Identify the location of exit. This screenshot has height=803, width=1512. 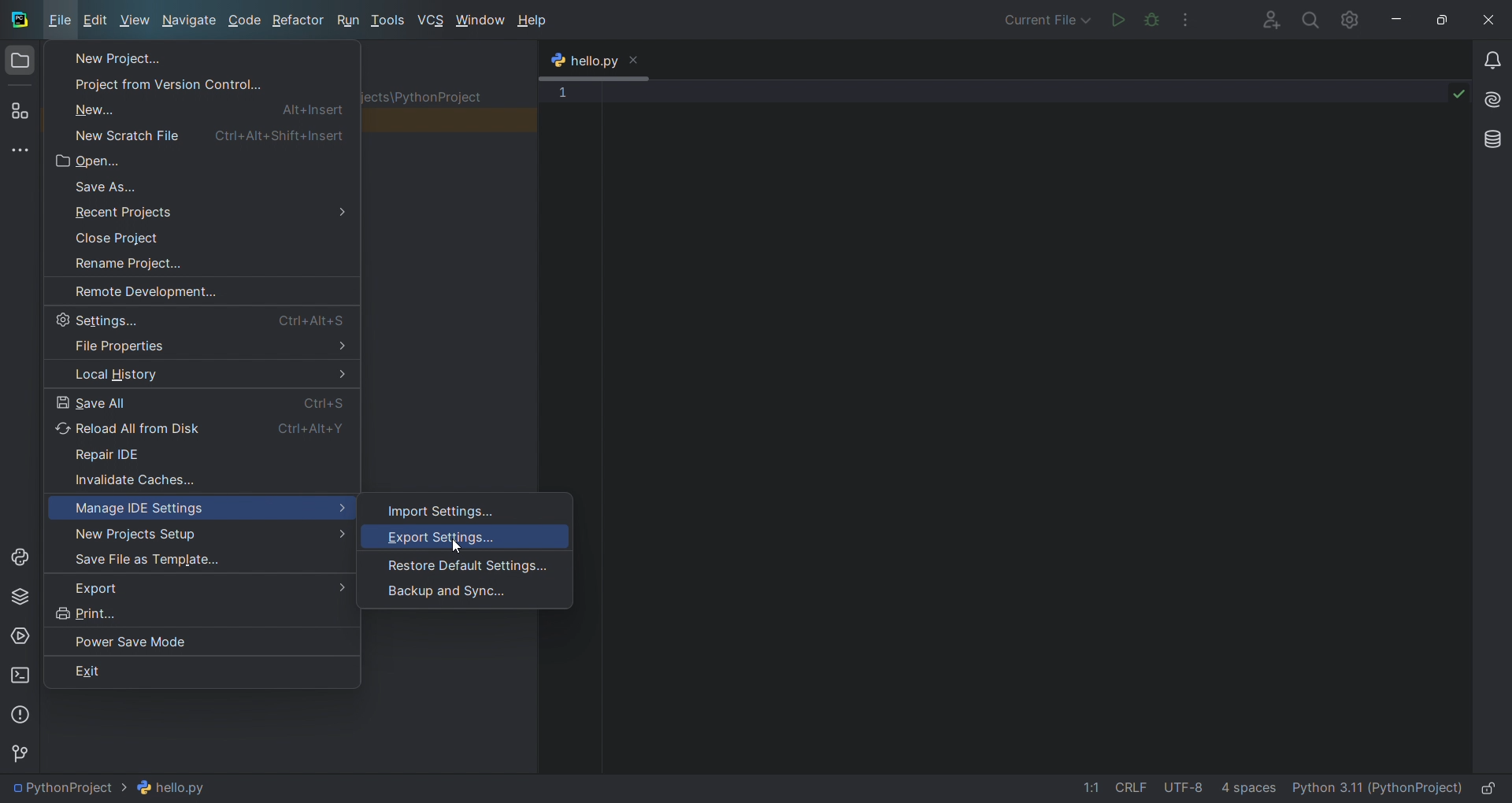
(201, 675).